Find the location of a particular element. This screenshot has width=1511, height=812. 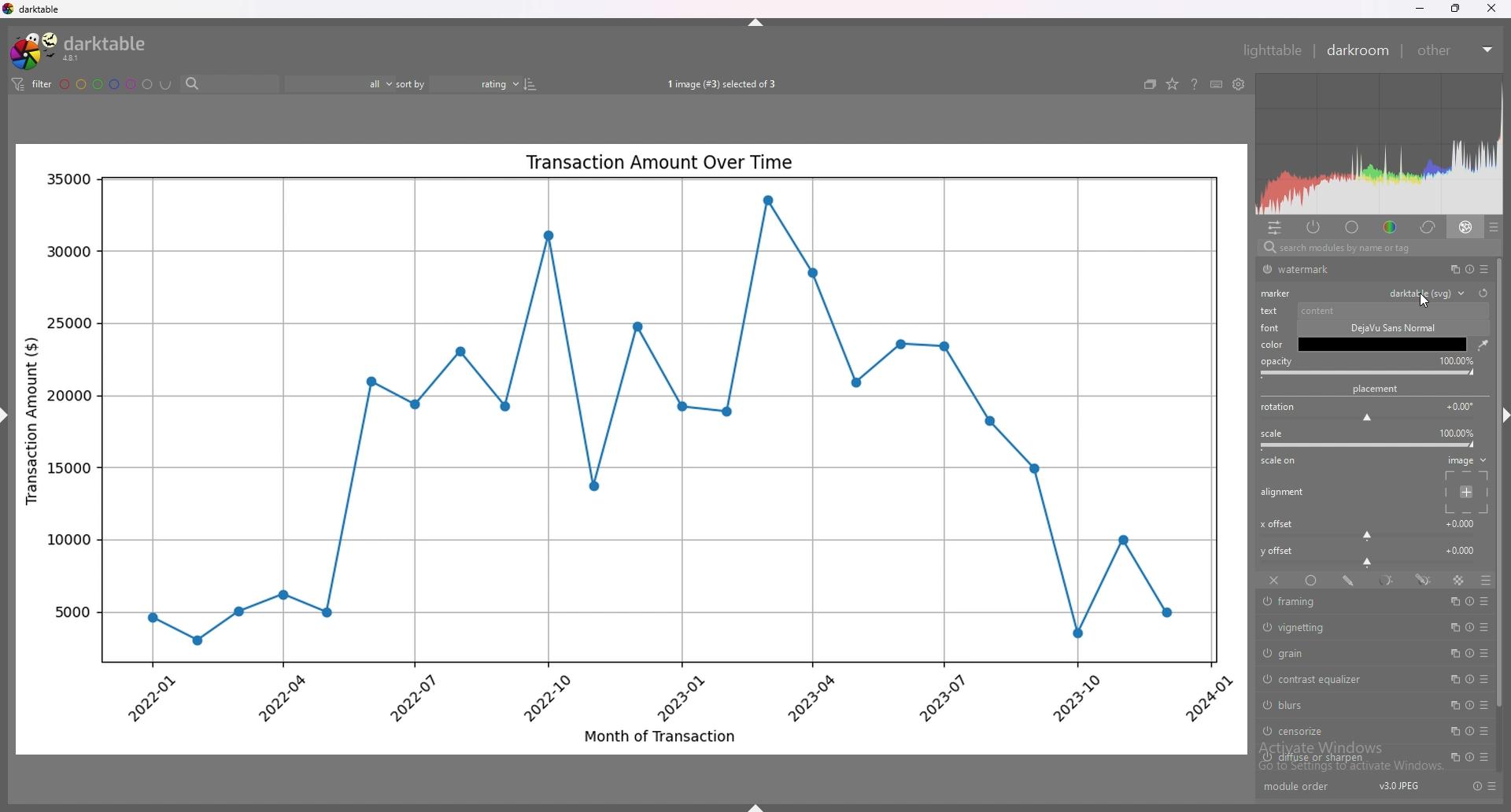

raster mask is located at coordinates (1459, 580).